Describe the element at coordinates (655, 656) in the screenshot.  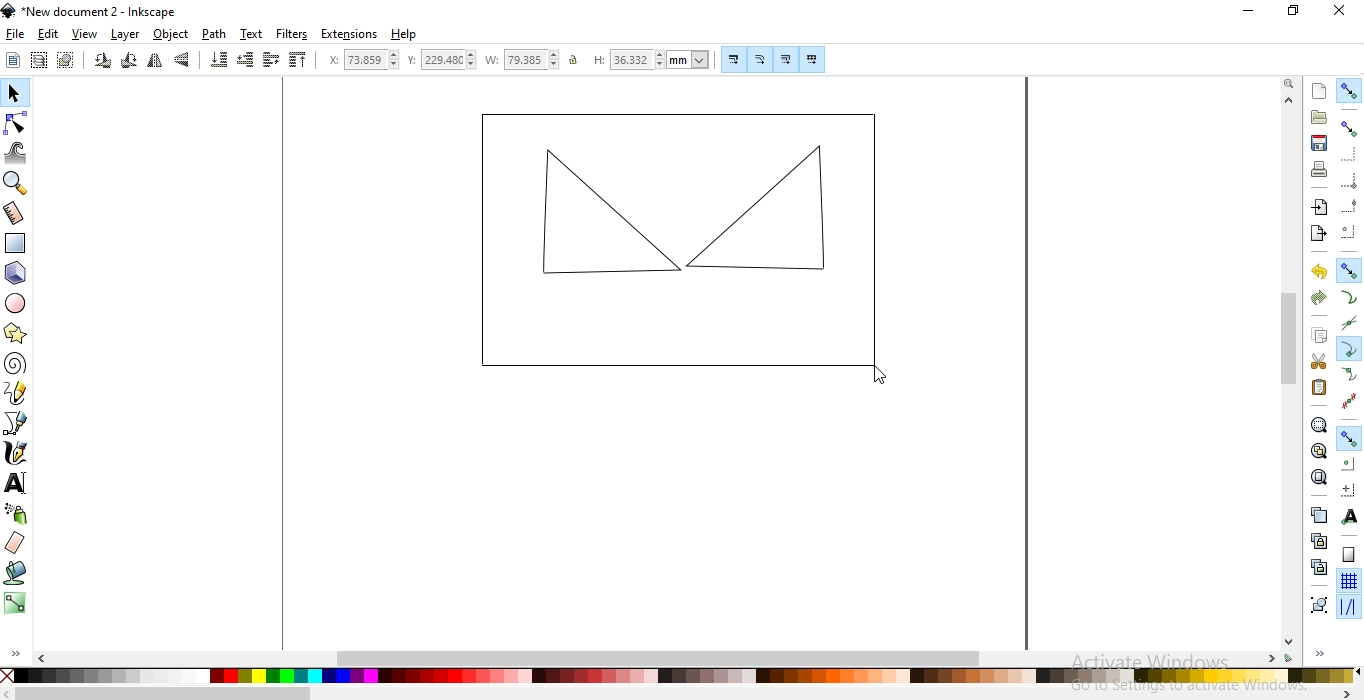
I see `scrollbar` at that location.